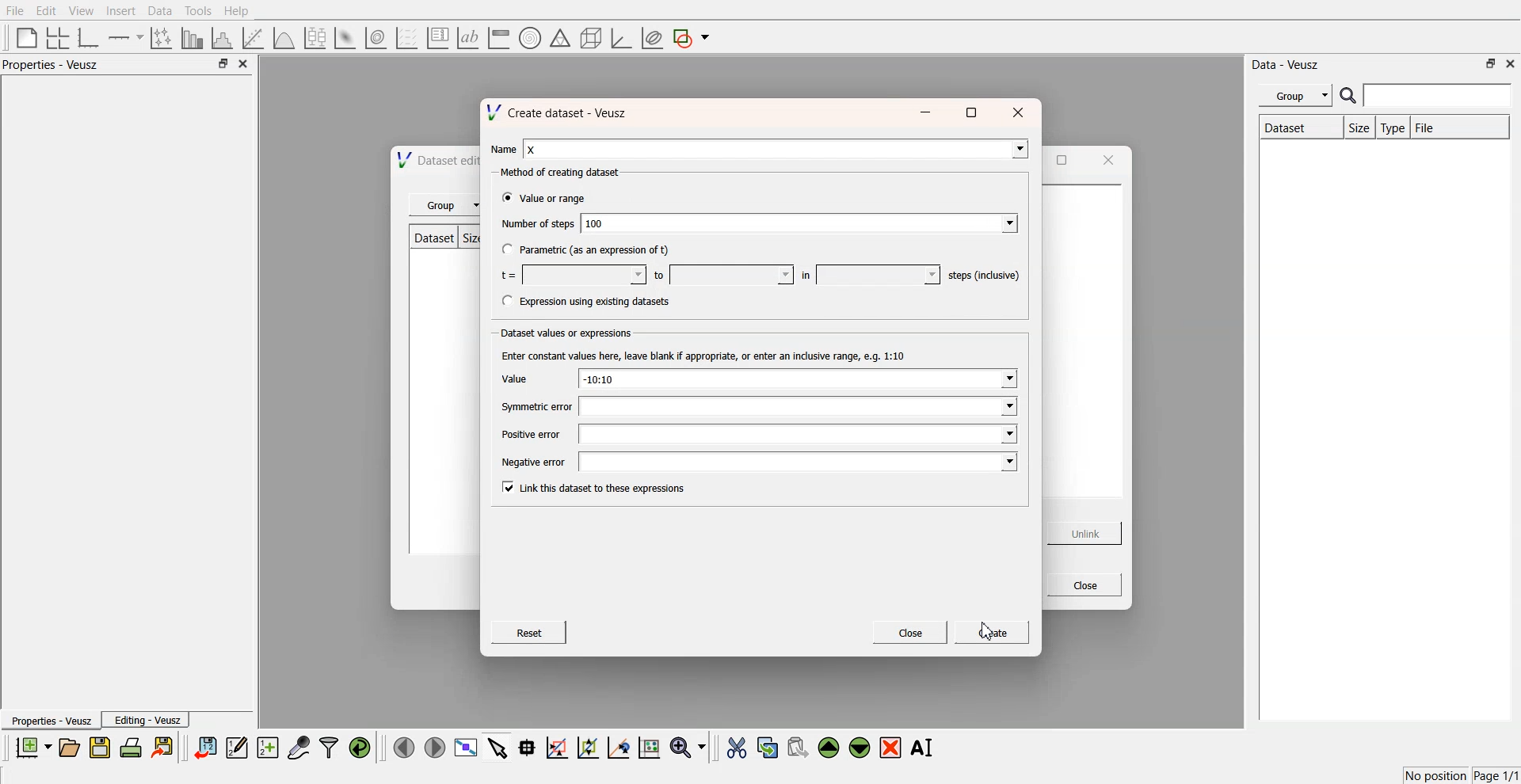  What do you see at coordinates (204, 748) in the screenshot?
I see `import data sets` at bounding box center [204, 748].